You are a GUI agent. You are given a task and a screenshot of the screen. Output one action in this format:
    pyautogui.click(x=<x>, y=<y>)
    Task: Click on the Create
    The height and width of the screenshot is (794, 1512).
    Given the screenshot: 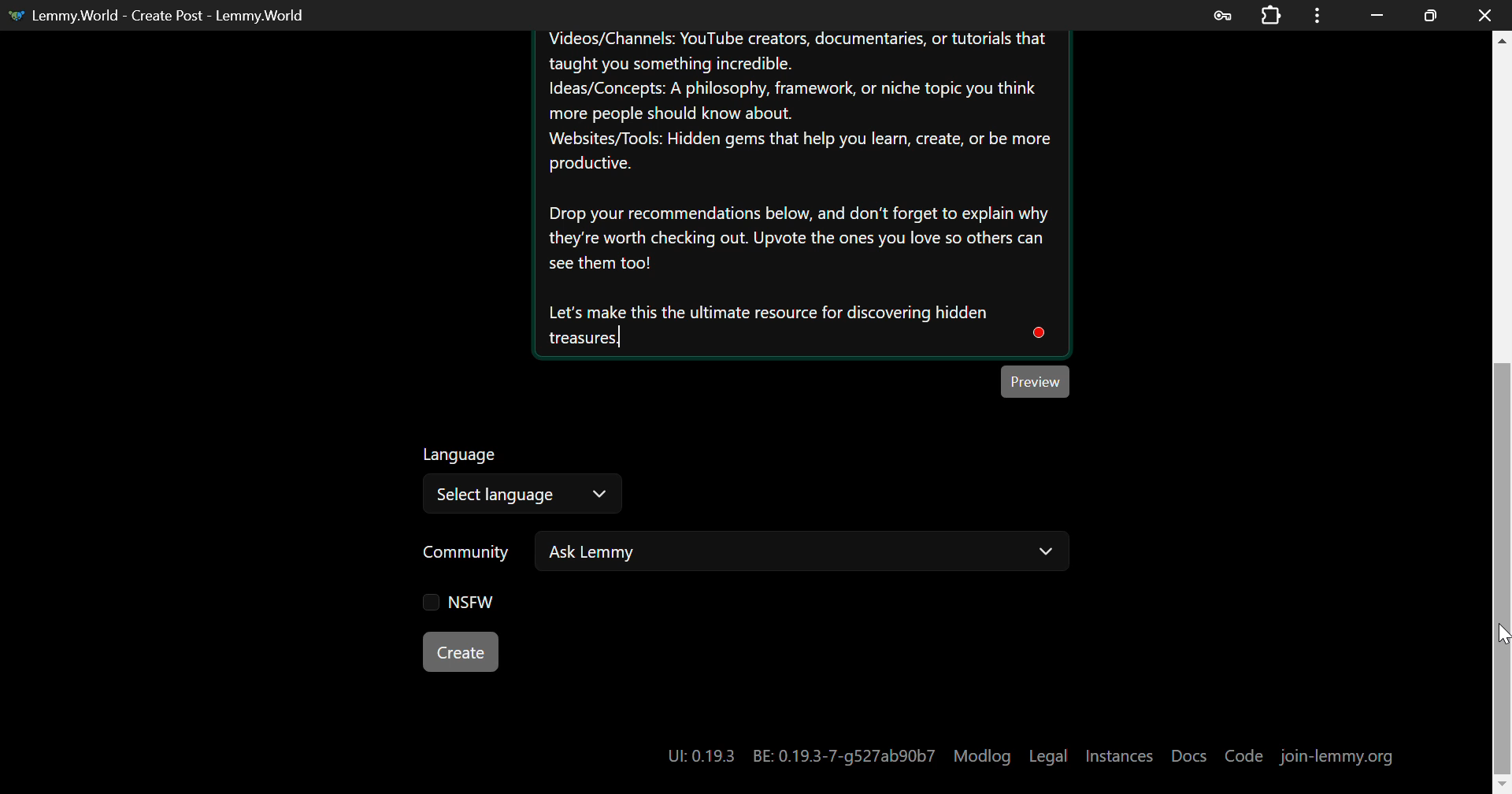 What is the action you would take?
    pyautogui.click(x=461, y=651)
    